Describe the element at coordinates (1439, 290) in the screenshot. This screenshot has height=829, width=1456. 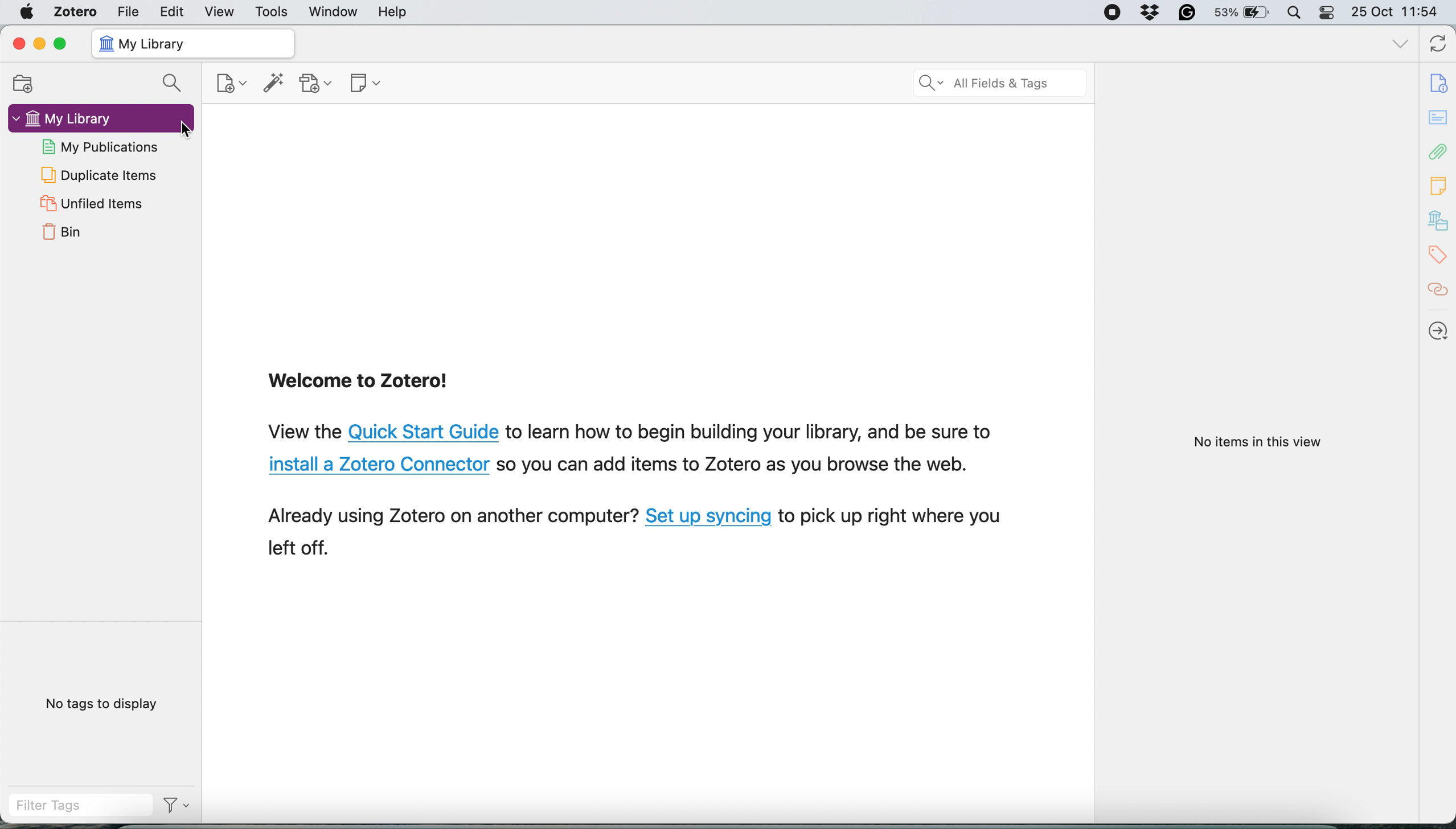
I see `citations` at that location.